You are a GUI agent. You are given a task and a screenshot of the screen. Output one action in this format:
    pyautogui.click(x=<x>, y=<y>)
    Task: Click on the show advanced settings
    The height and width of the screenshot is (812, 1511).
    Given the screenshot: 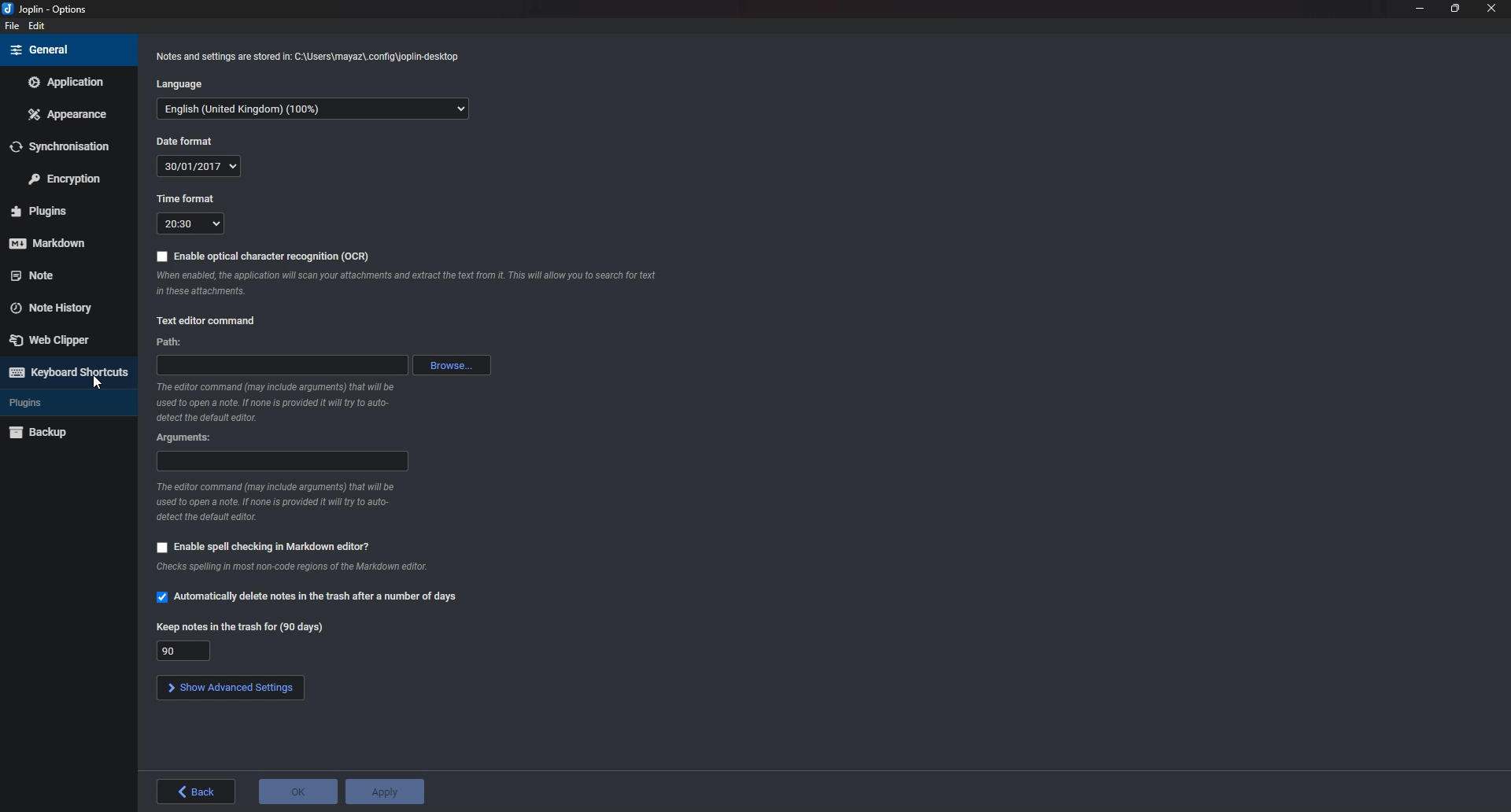 What is the action you would take?
    pyautogui.click(x=229, y=687)
    